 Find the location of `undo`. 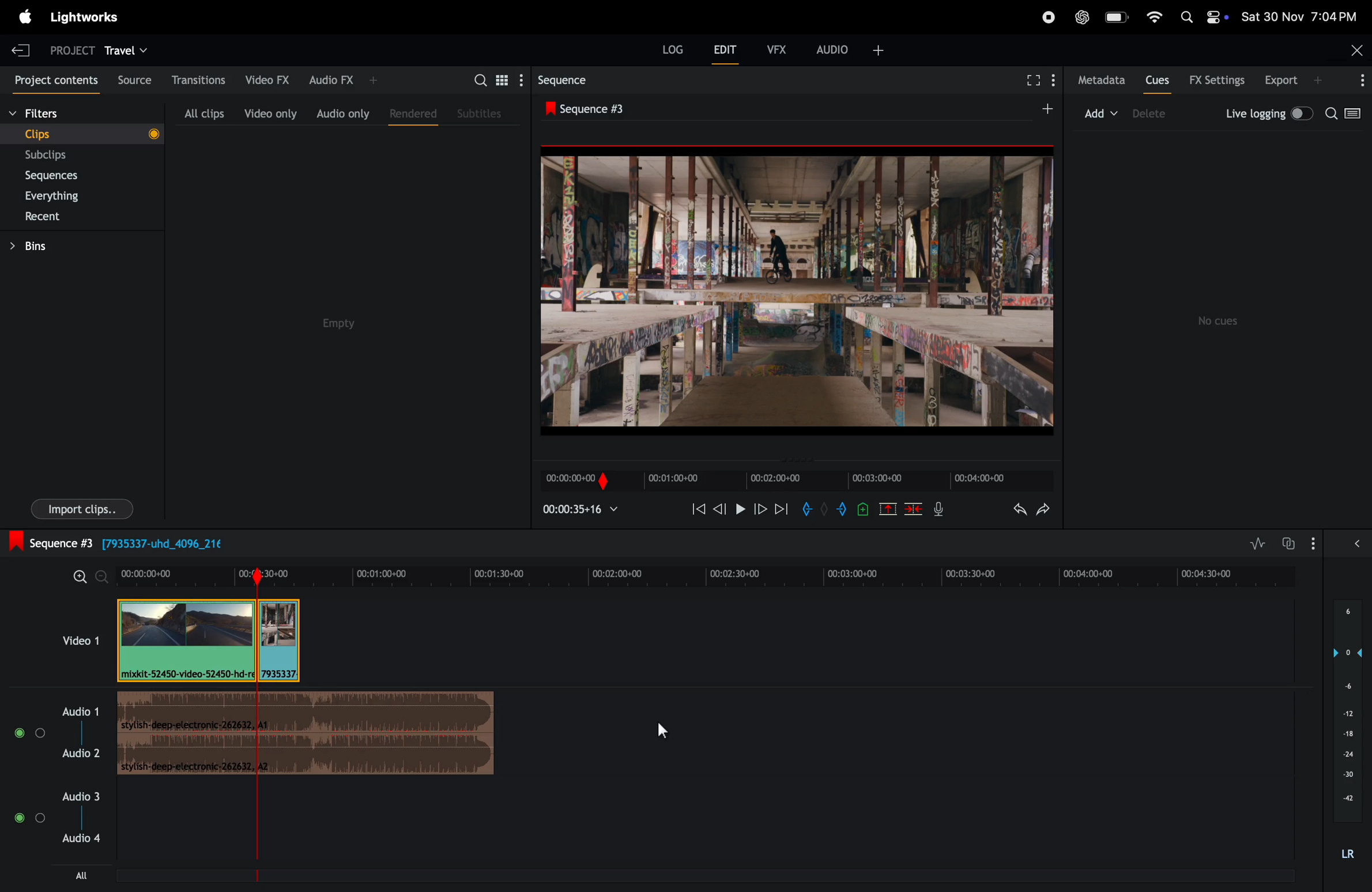

undo is located at coordinates (1011, 508).